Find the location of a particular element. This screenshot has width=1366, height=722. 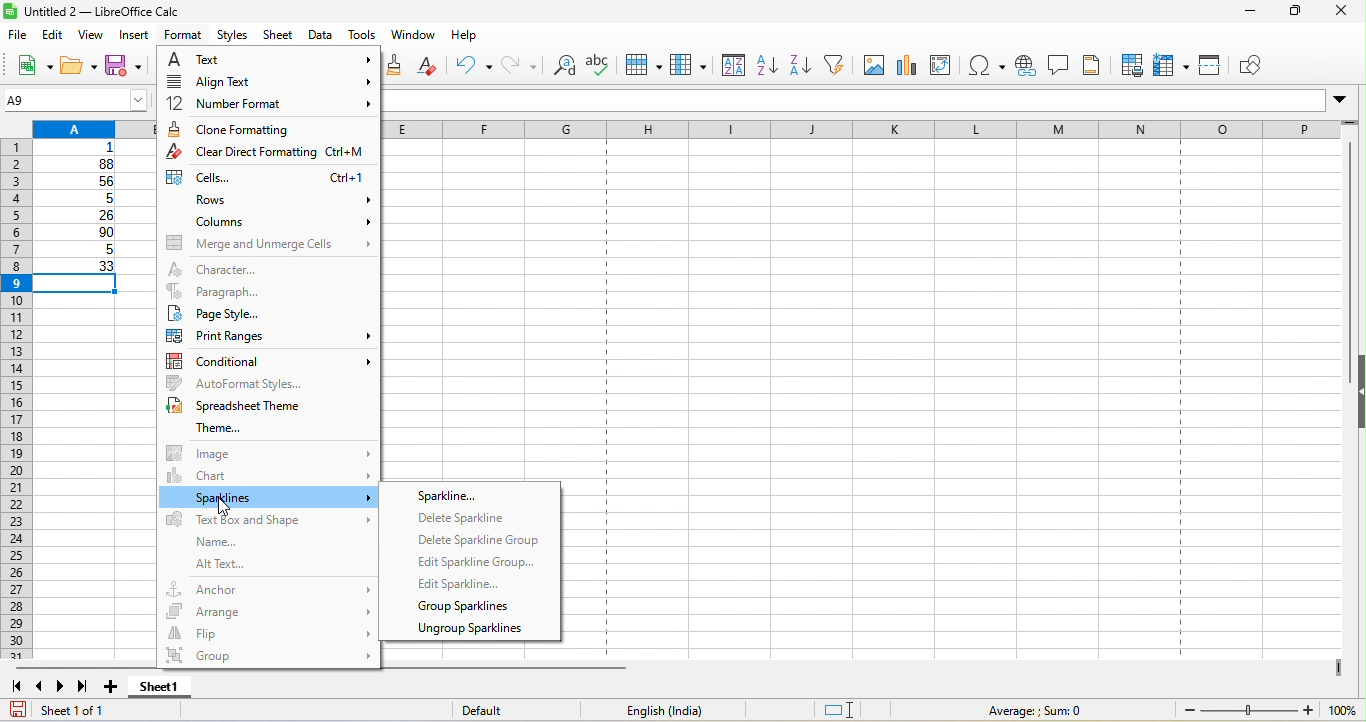

26 is located at coordinates (79, 216).